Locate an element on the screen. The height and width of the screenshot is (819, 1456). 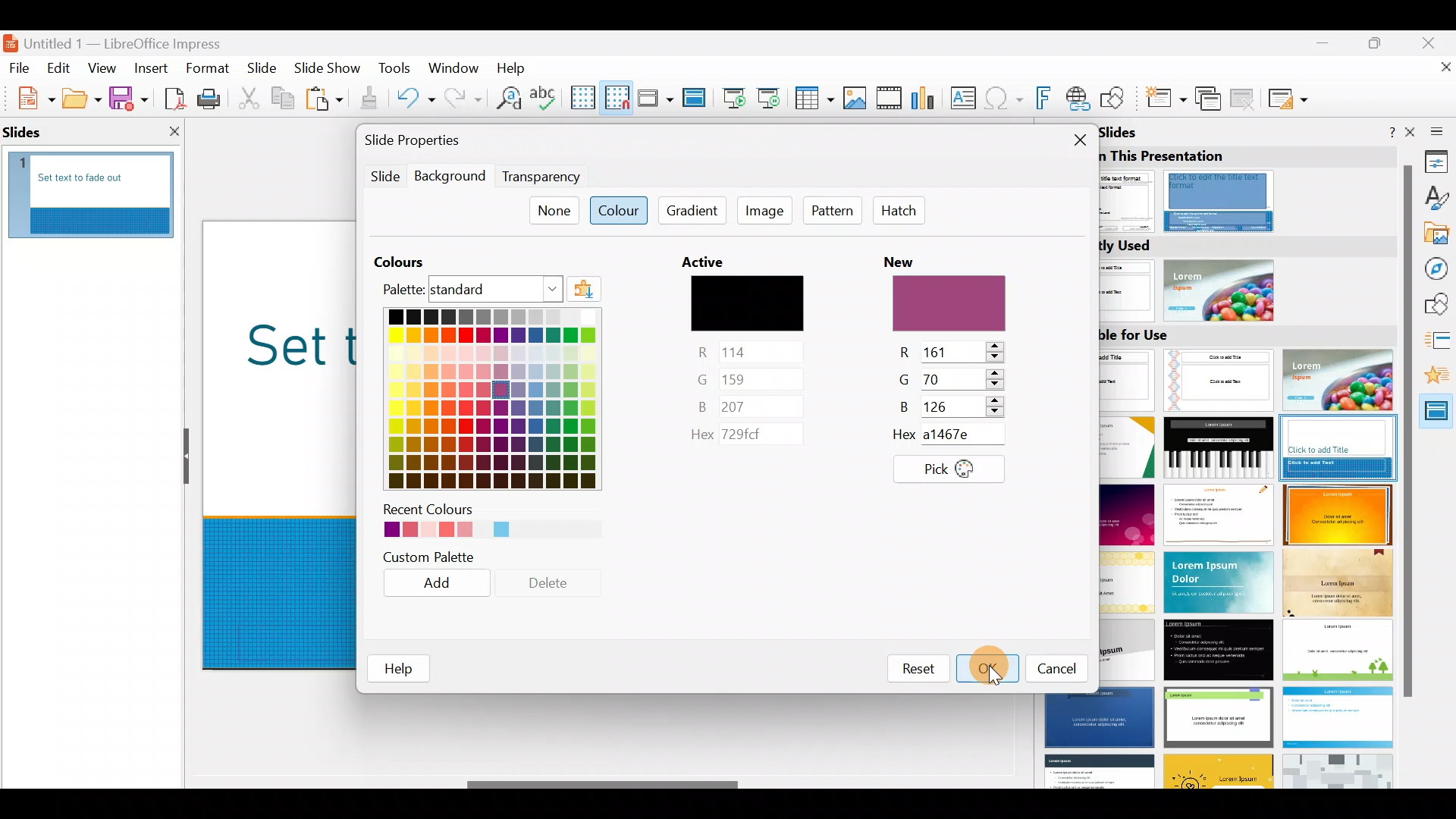
blue is located at coordinates (748, 405).